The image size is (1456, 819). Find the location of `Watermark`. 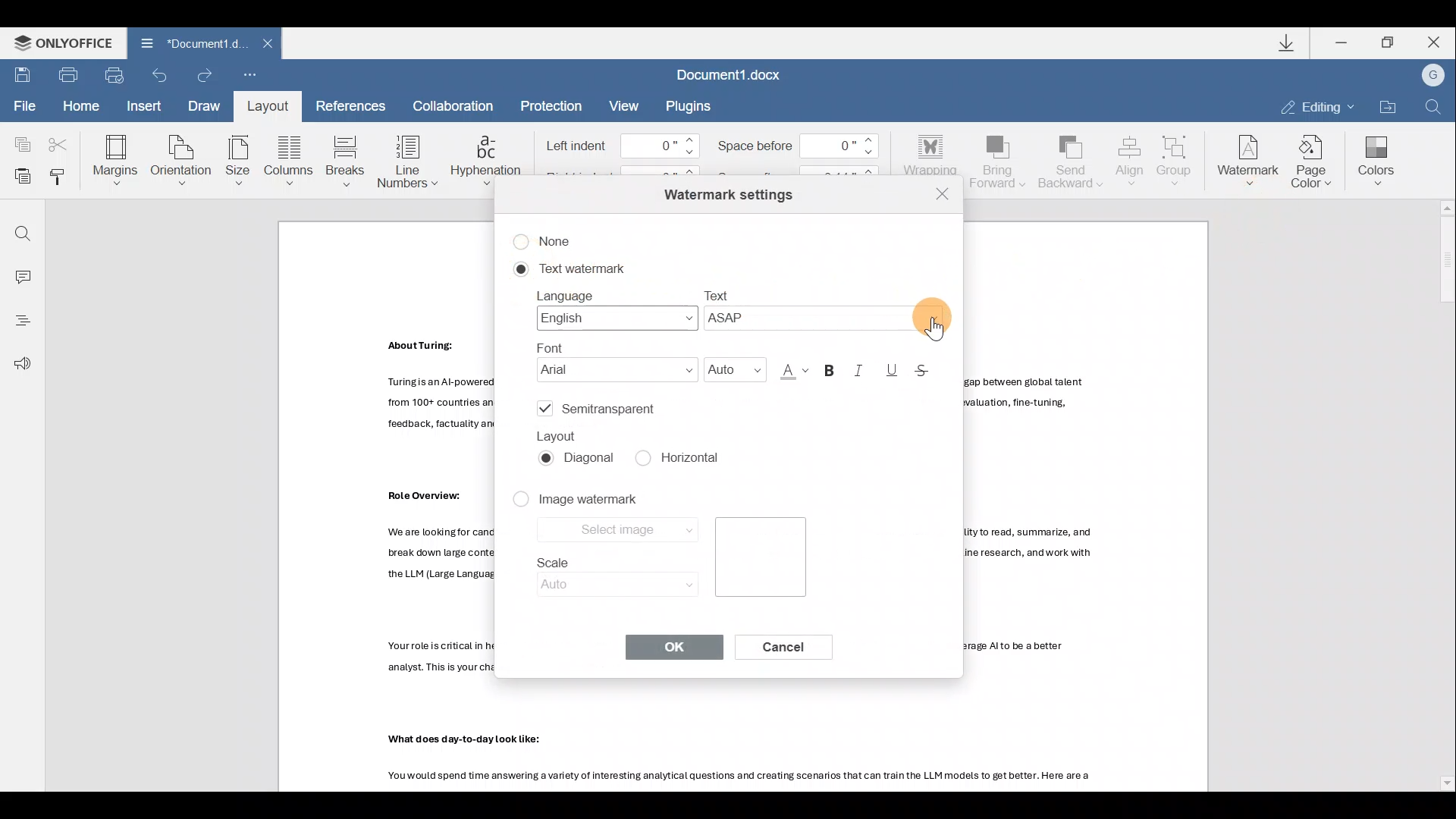

Watermark is located at coordinates (1250, 158).